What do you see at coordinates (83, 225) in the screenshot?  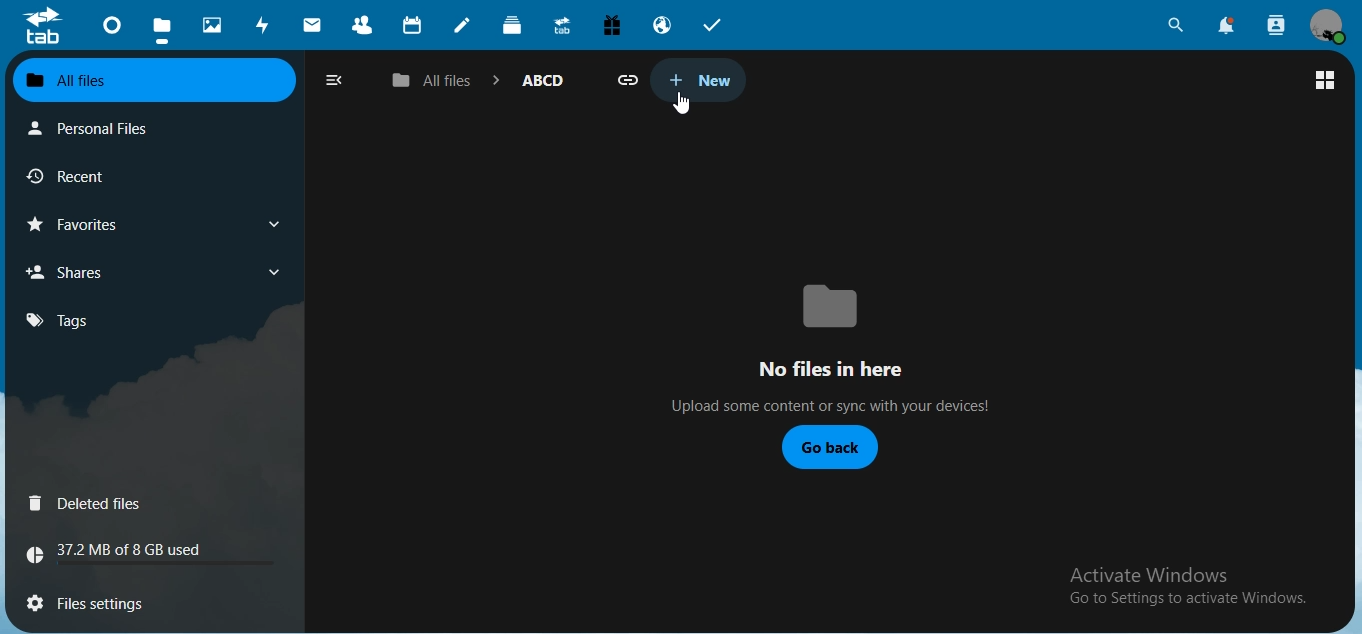 I see `favourites` at bounding box center [83, 225].